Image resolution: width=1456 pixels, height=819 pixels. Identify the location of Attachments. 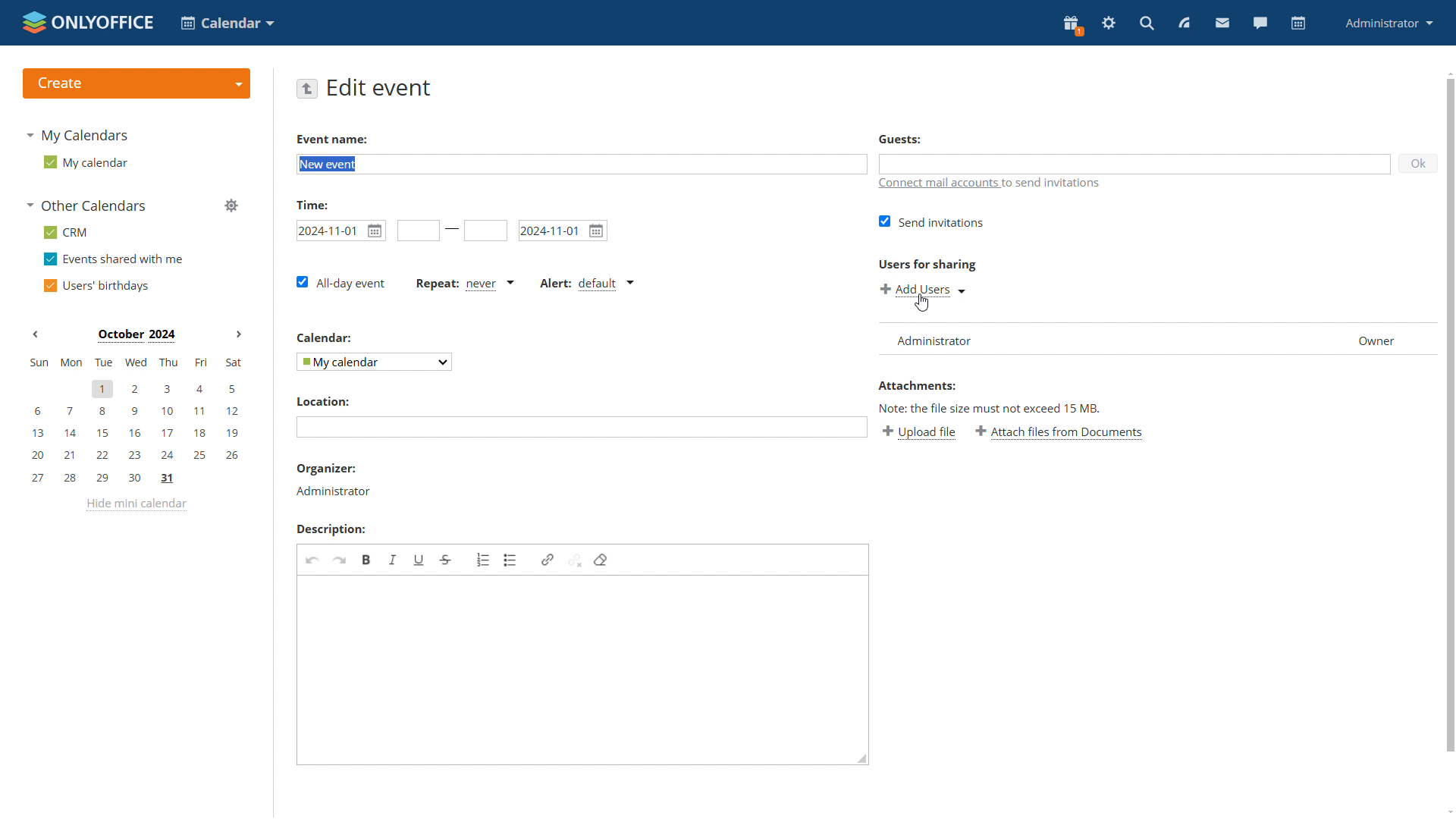
(917, 386).